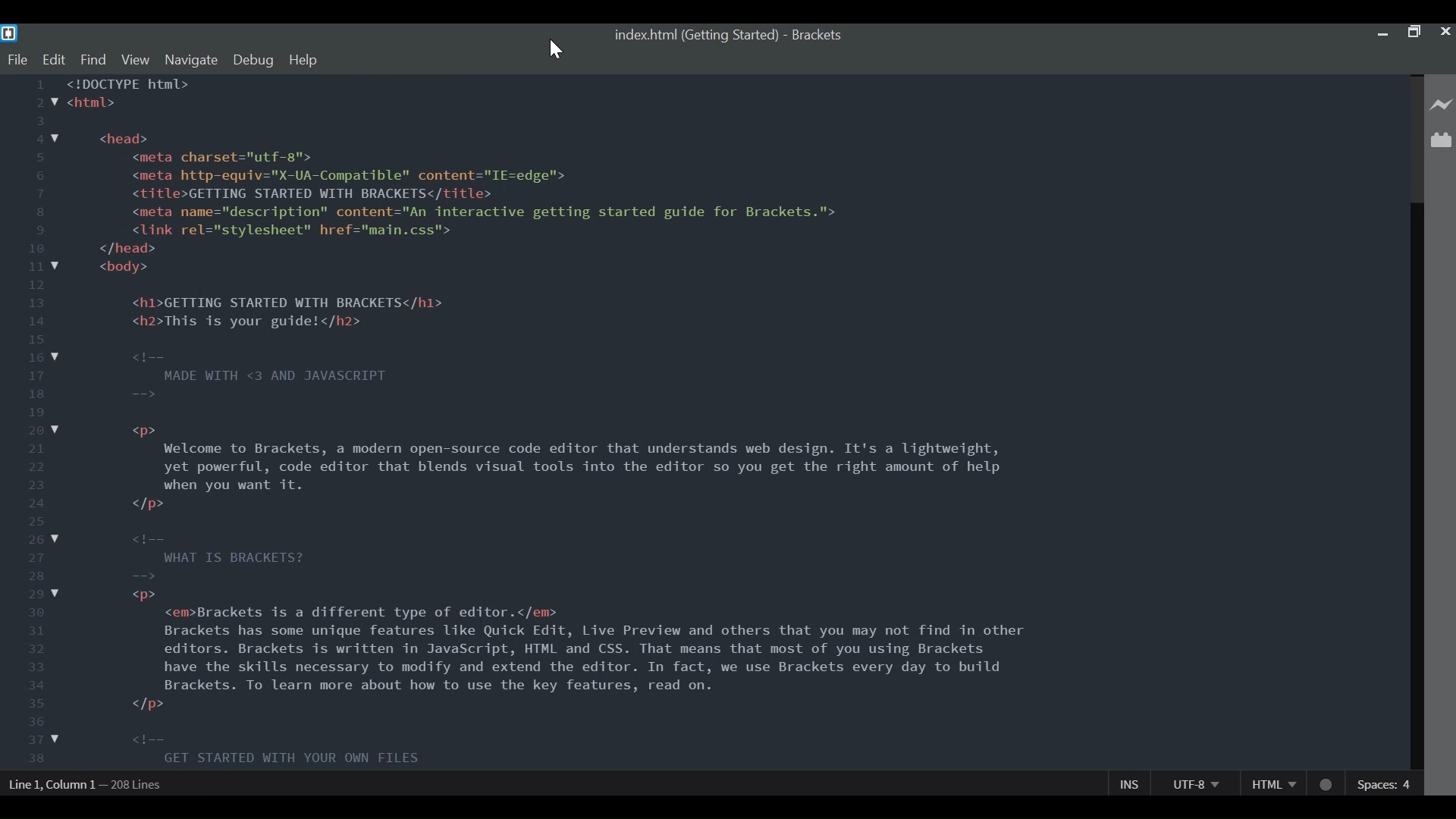  I want to click on lines numbers, so click(24, 424).